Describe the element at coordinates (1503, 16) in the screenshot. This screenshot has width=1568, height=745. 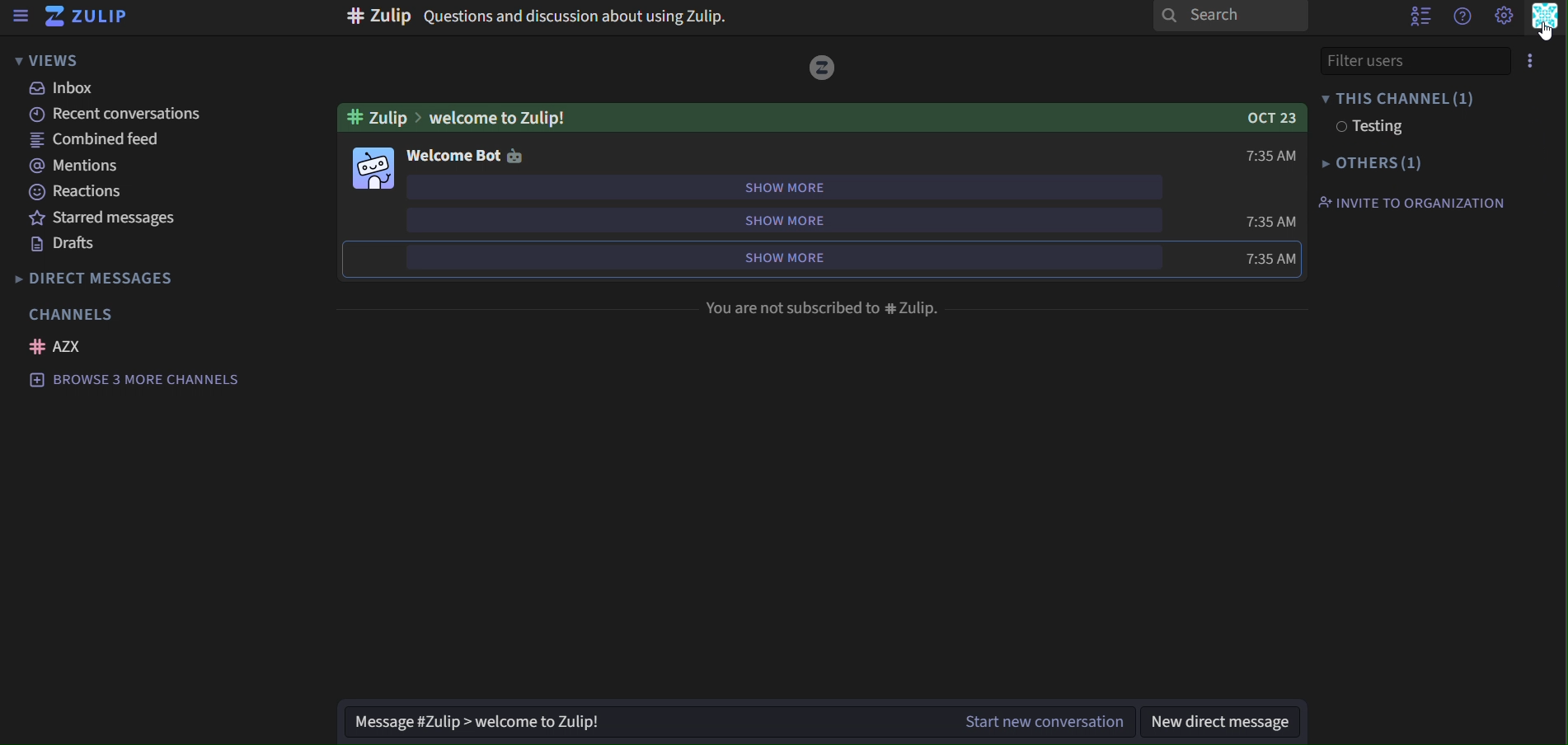
I see `setting` at that location.